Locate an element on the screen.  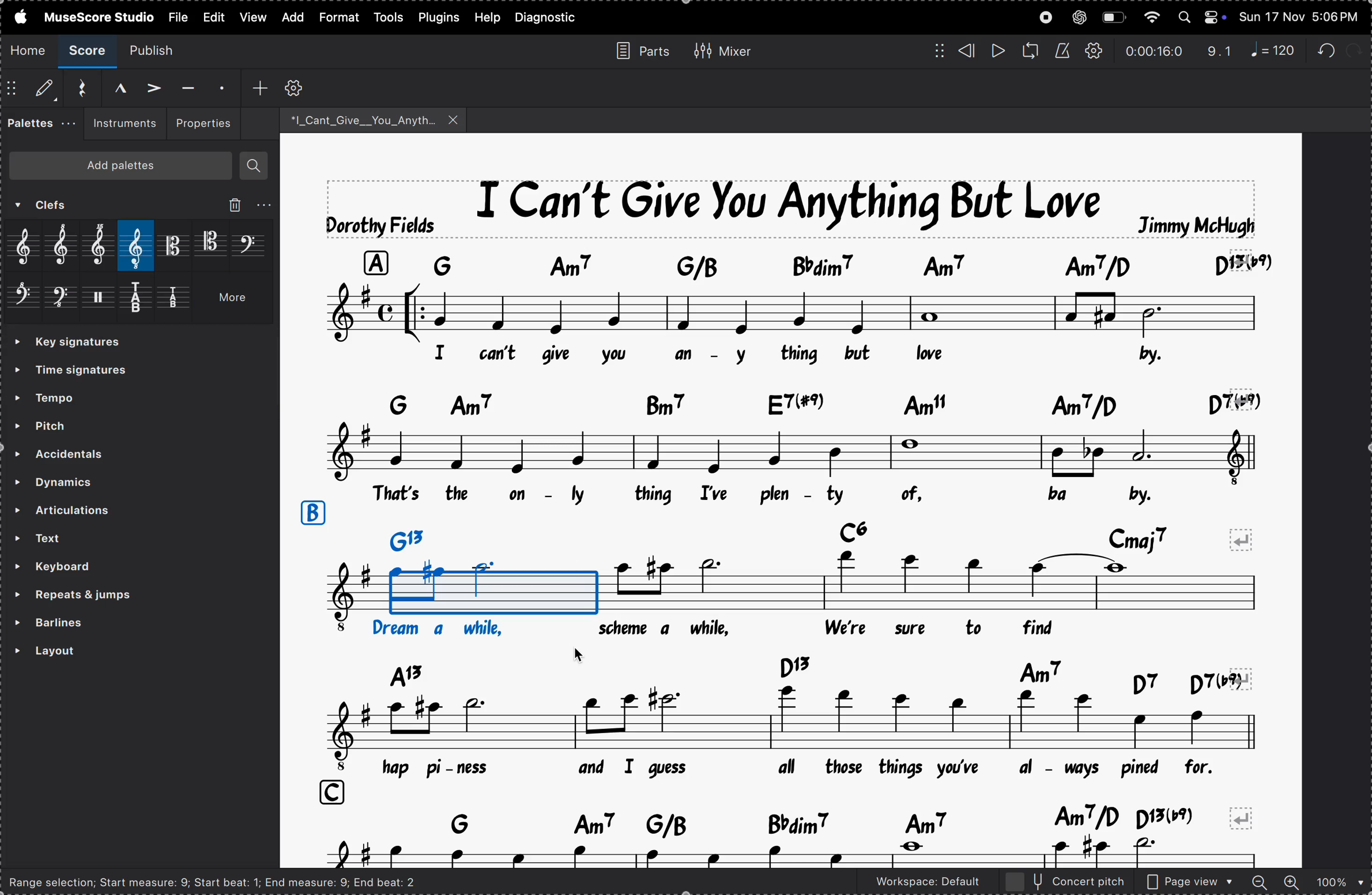
title is located at coordinates (793, 207).